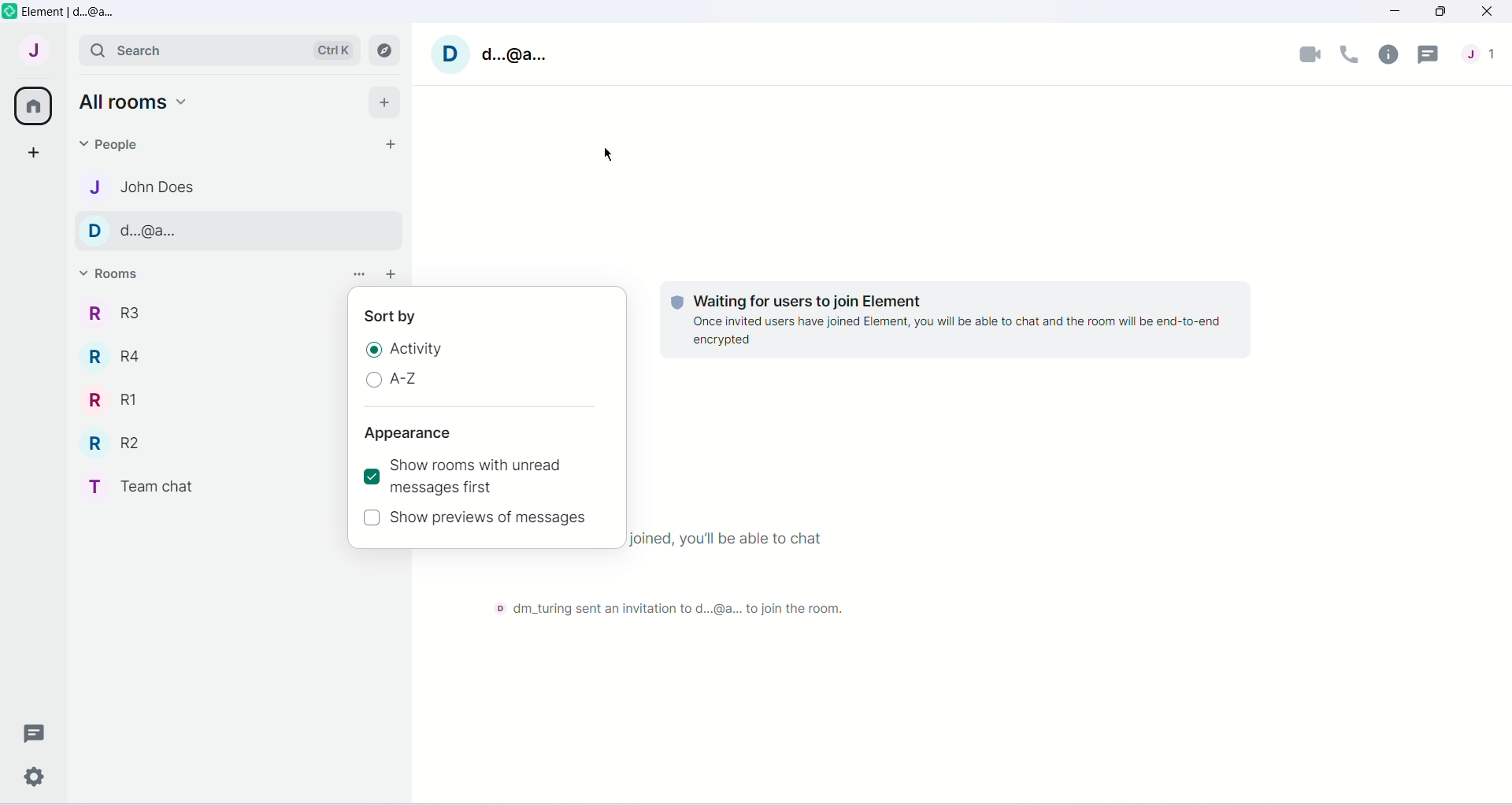  Describe the element at coordinates (372, 382) in the screenshot. I see `Radio Button unchecked` at that location.